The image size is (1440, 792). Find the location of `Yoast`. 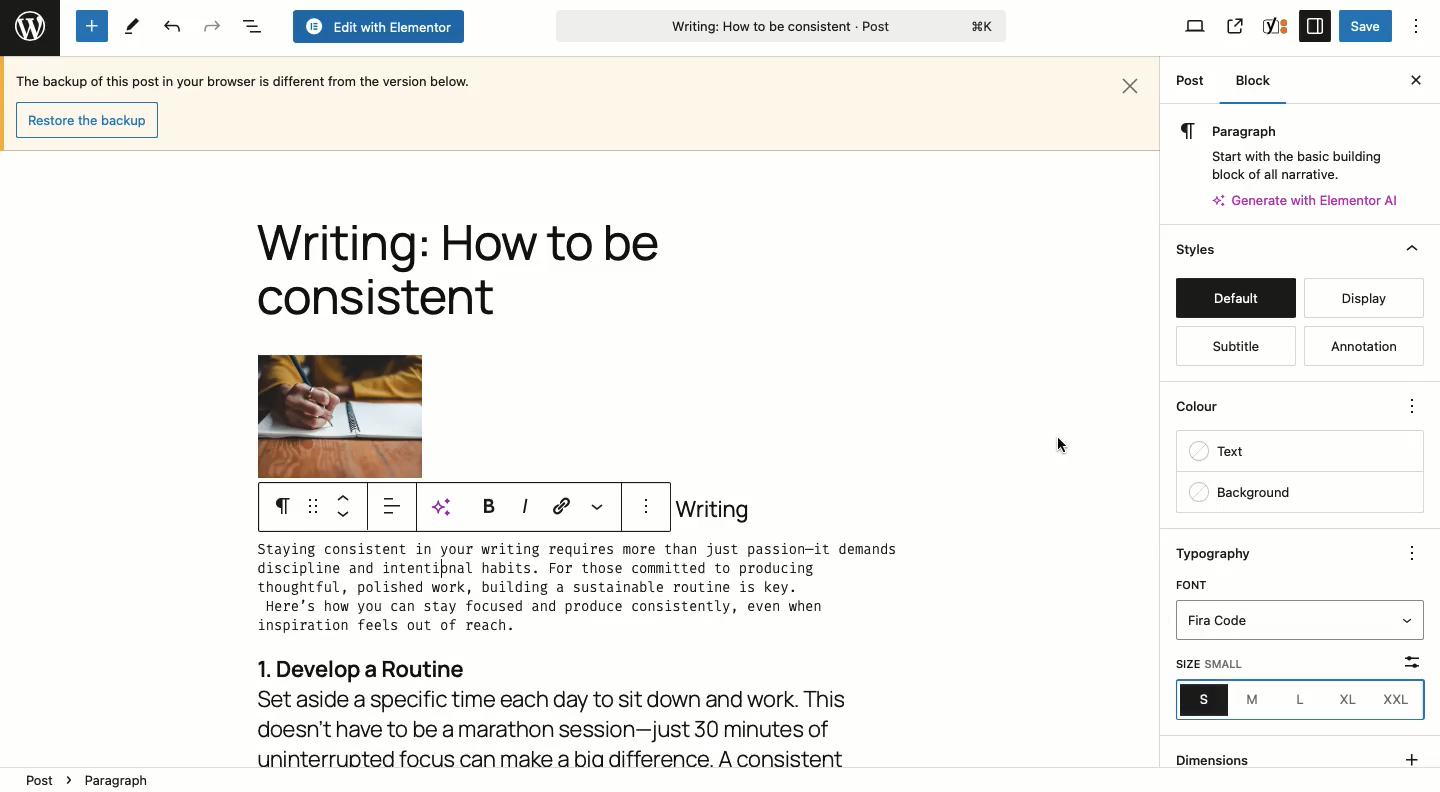

Yoast is located at coordinates (1276, 25).